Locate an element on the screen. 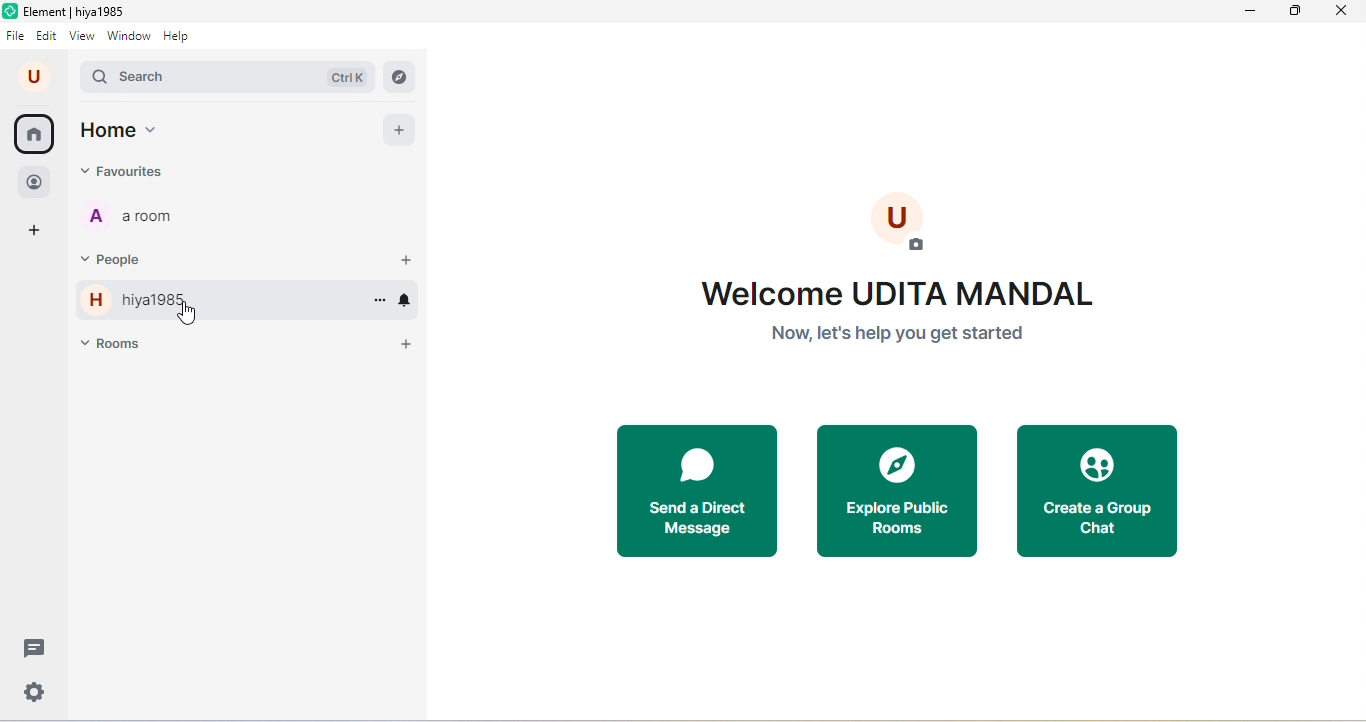 This screenshot has height=722, width=1366. Element | hiya1985 is located at coordinates (69, 12).